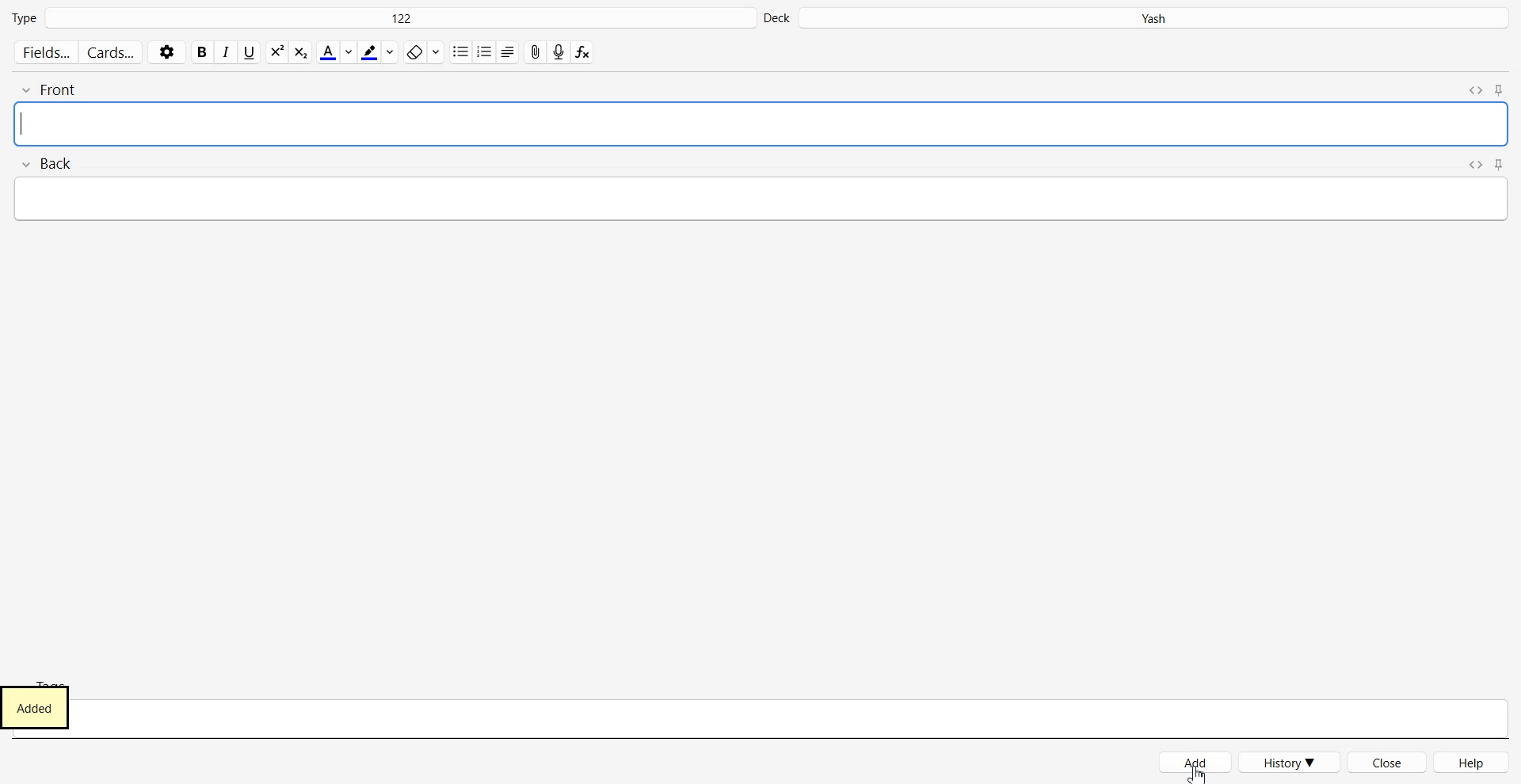 This screenshot has width=1521, height=784. Describe the element at coordinates (44, 52) in the screenshot. I see `Fields` at that location.